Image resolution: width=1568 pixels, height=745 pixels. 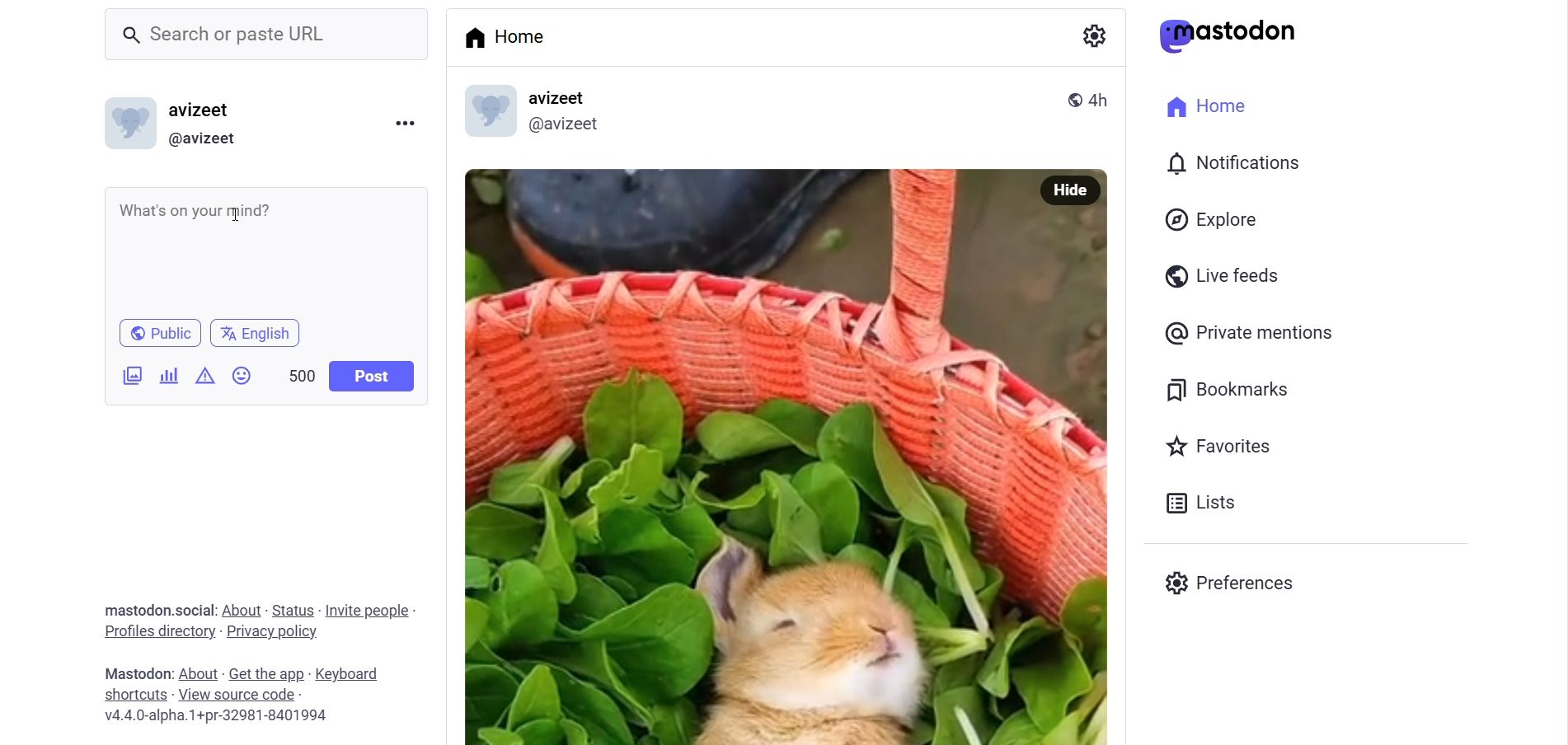 I want to click on profile picture, so click(x=488, y=110).